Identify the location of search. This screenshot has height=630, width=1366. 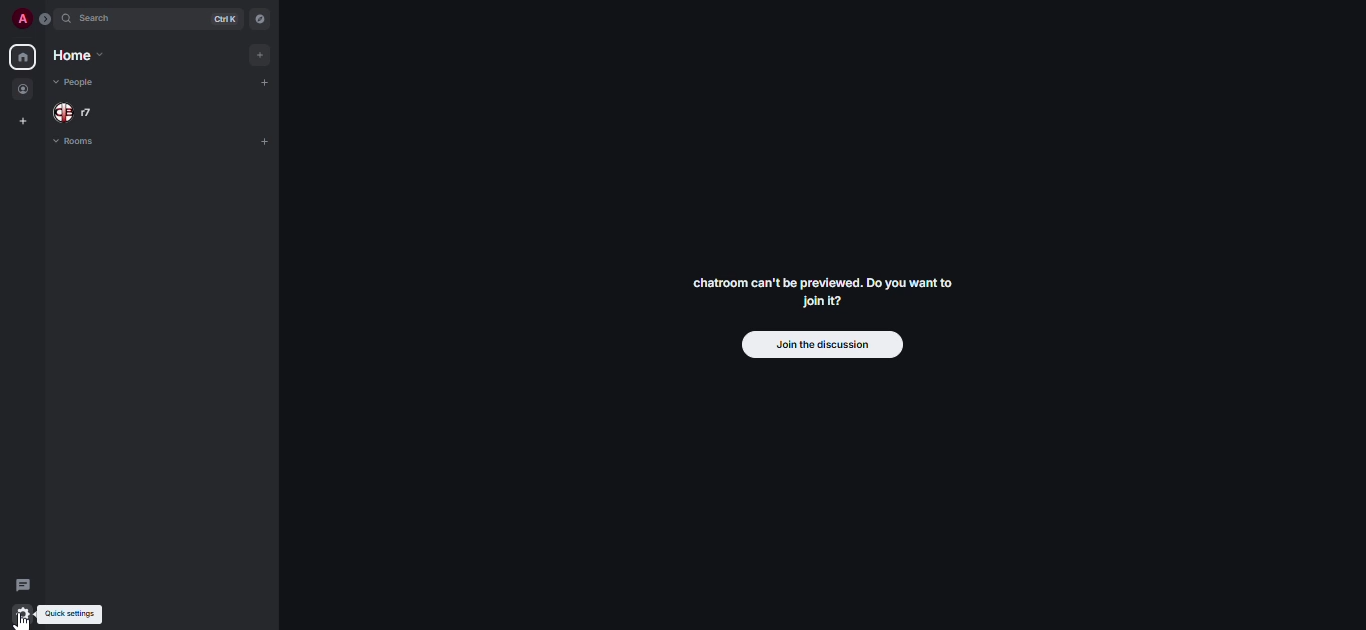
(100, 21).